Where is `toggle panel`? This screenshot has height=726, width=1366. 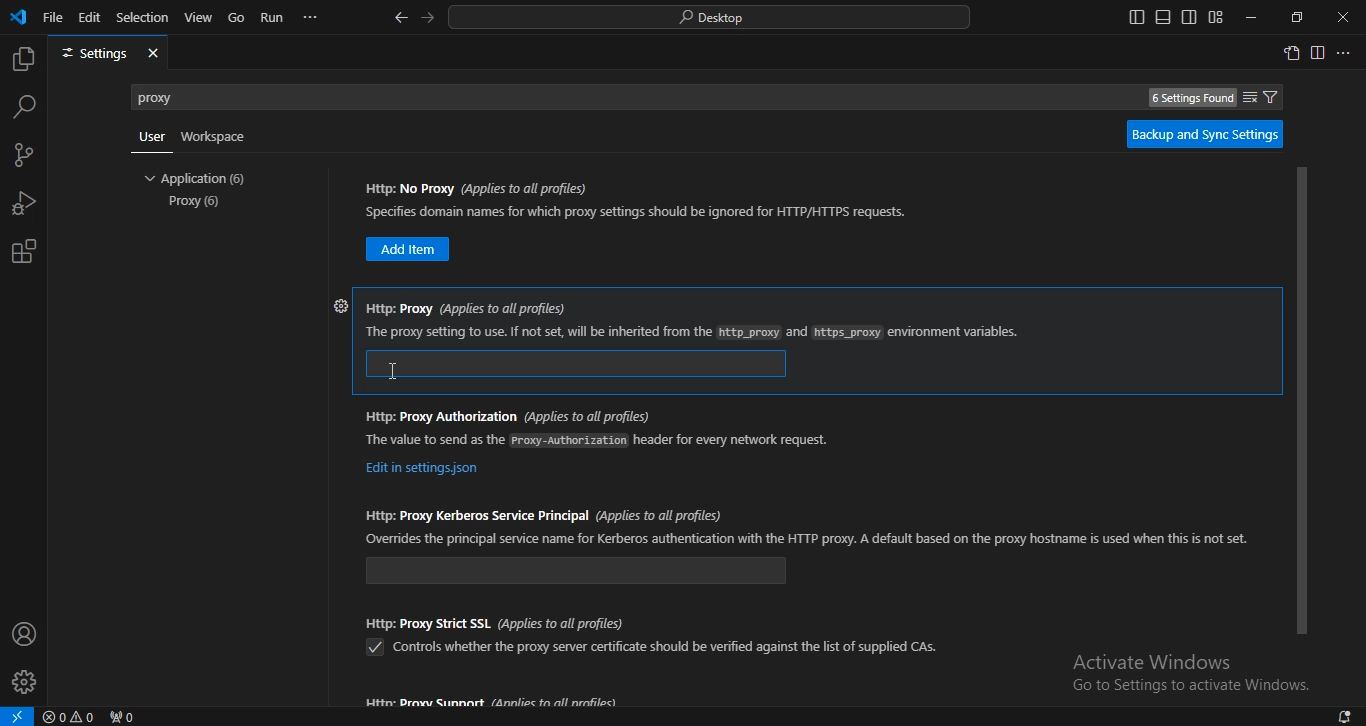
toggle panel is located at coordinates (1161, 16).